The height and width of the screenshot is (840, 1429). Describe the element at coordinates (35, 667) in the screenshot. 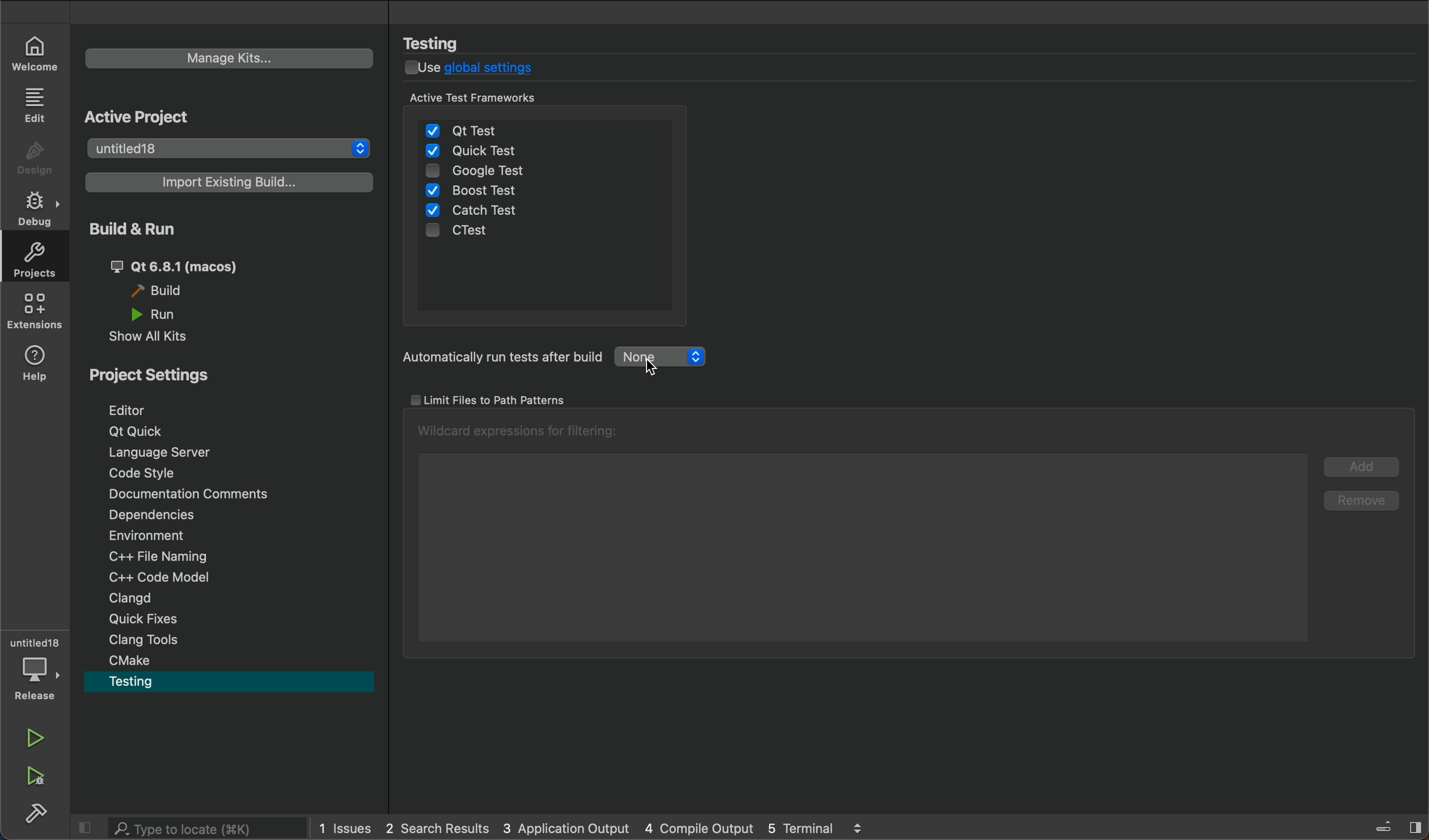

I see `debug` at that location.